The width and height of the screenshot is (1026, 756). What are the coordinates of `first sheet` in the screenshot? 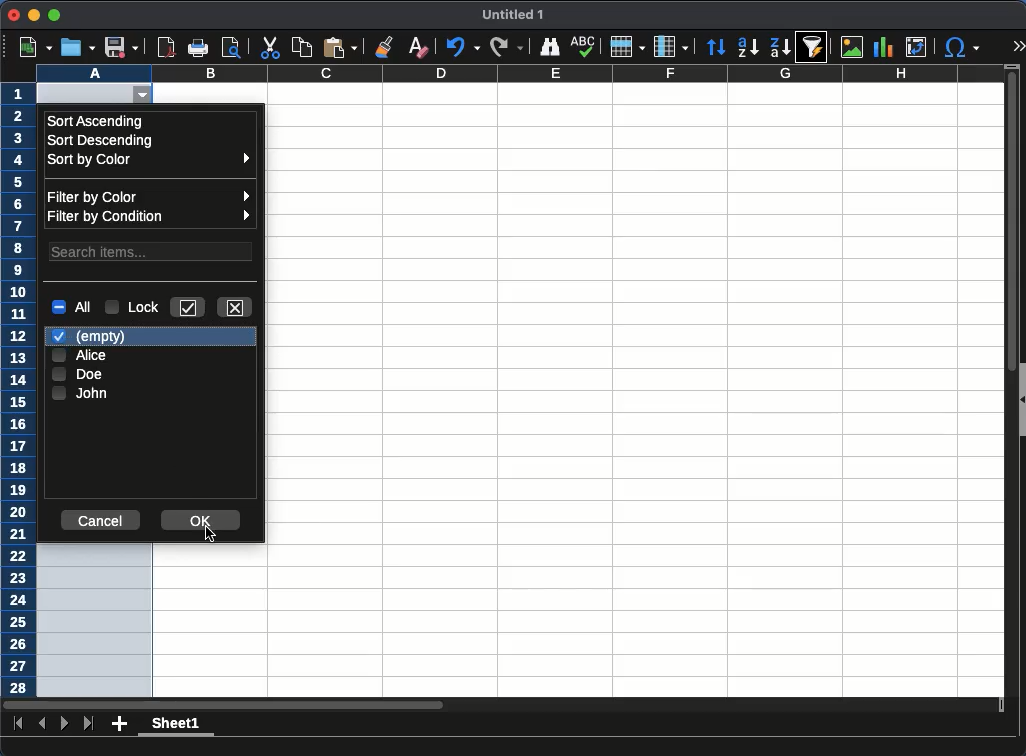 It's located at (17, 722).